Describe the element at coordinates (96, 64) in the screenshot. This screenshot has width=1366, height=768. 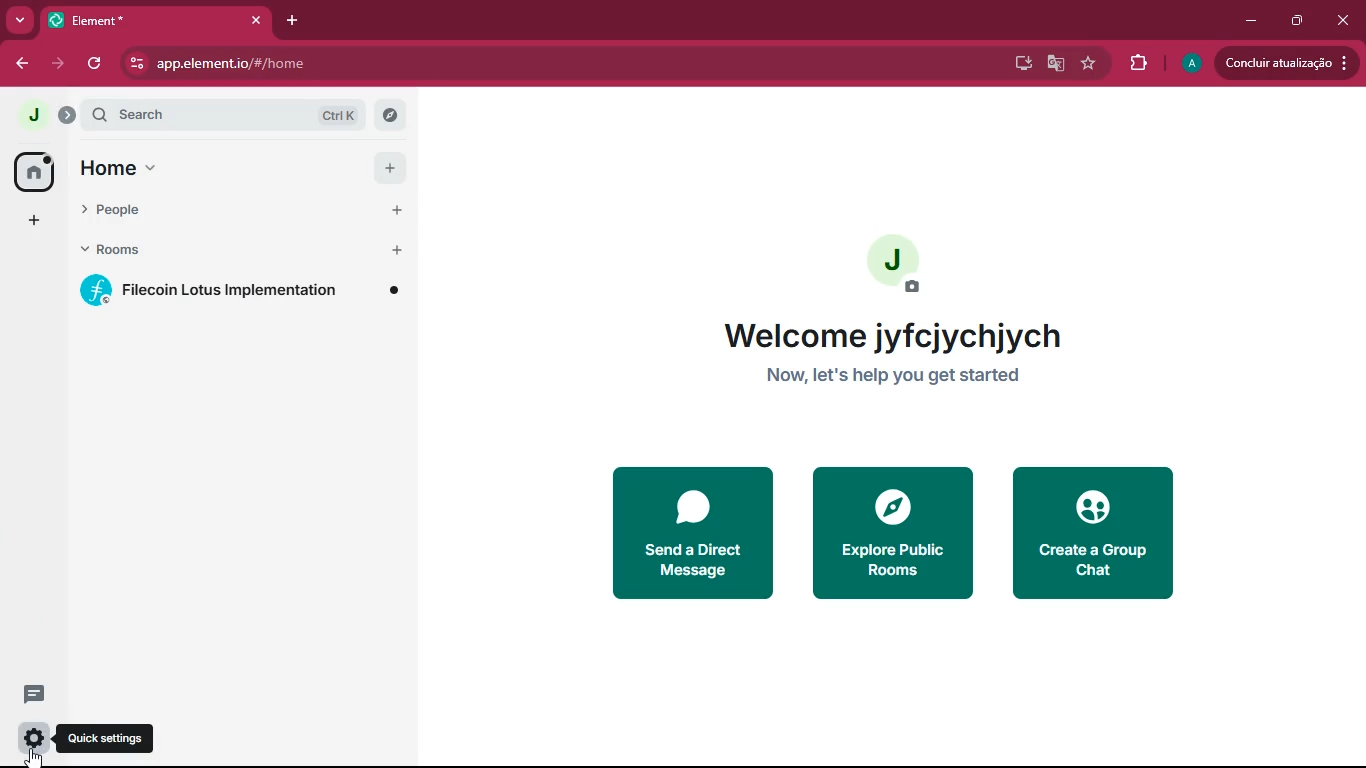
I see `refresh` at that location.